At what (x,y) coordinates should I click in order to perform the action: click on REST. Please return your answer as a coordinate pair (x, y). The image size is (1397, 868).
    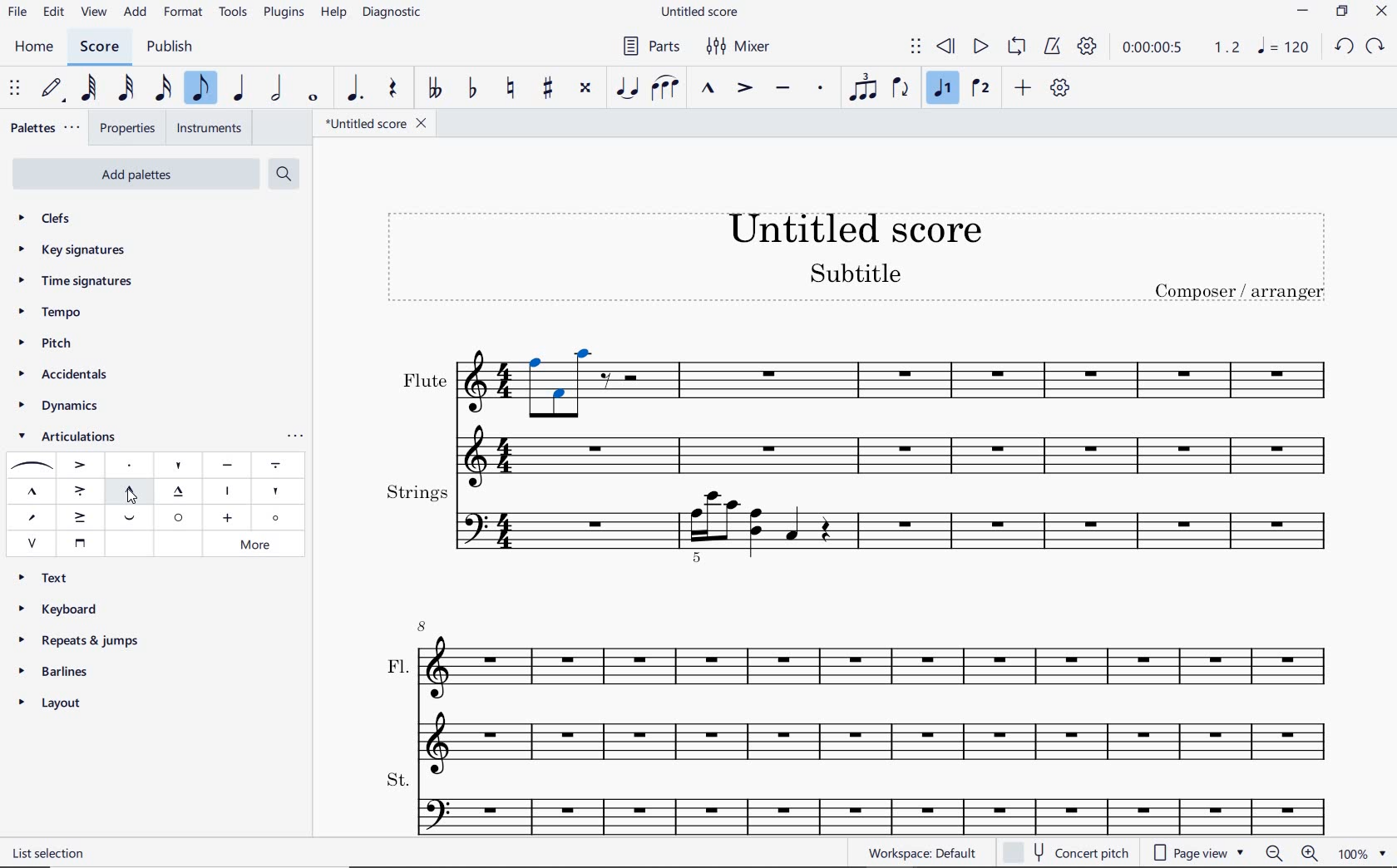
    Looking at the image, I should click on (393, 90).